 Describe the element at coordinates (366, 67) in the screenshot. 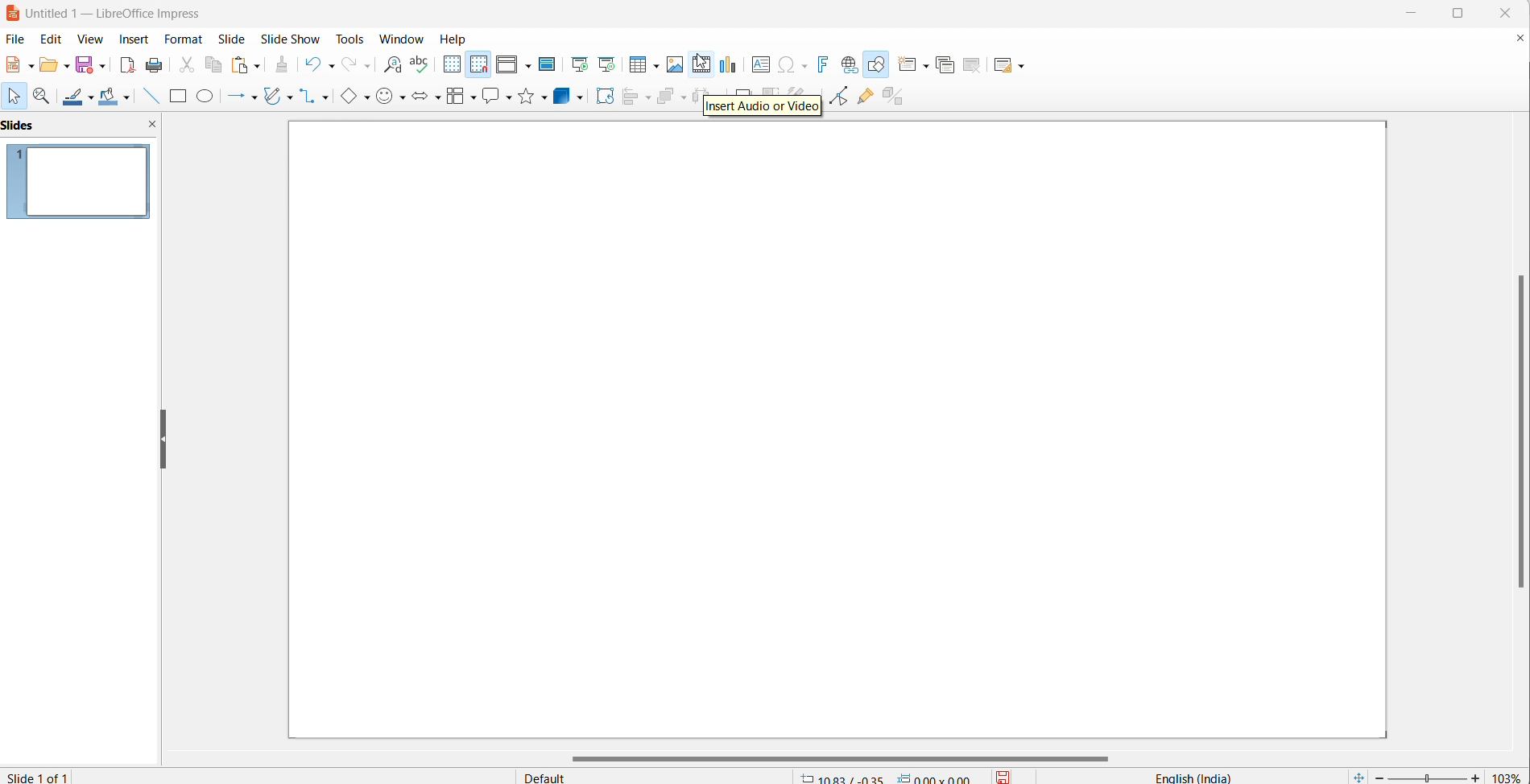

I see `redo options` at that location.